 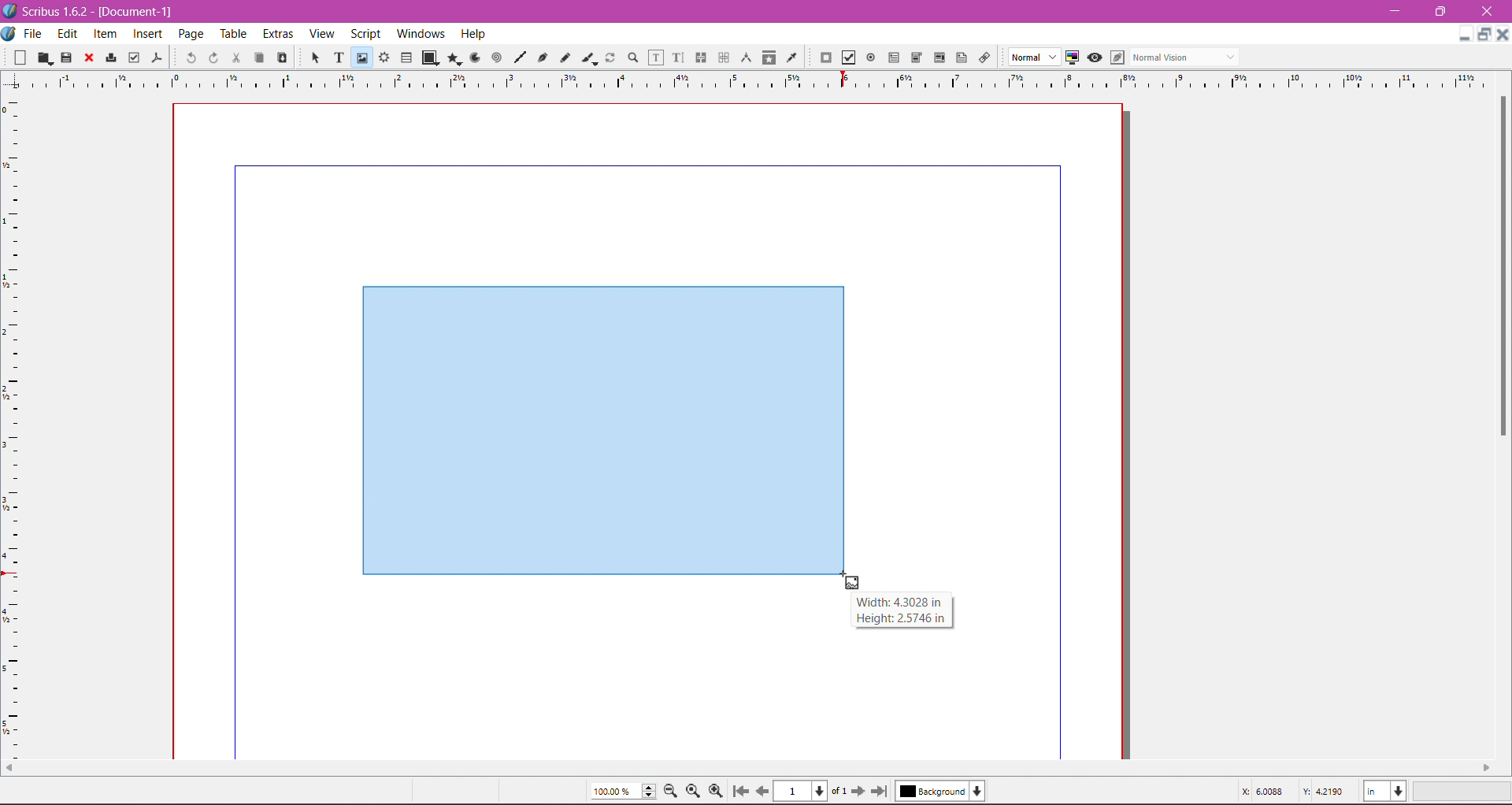 I want to click on New, so click(x=15, y=58).